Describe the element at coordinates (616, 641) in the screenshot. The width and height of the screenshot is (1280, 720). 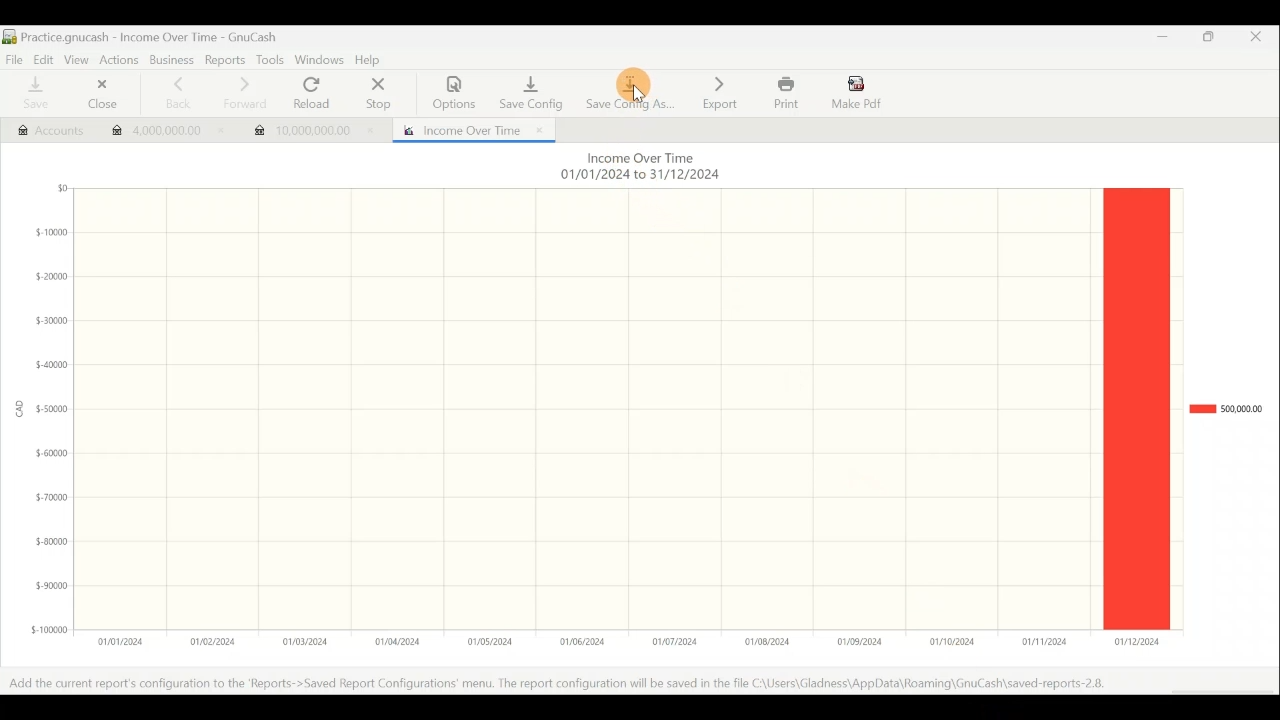
I see `x-axis (date range)` at that location.